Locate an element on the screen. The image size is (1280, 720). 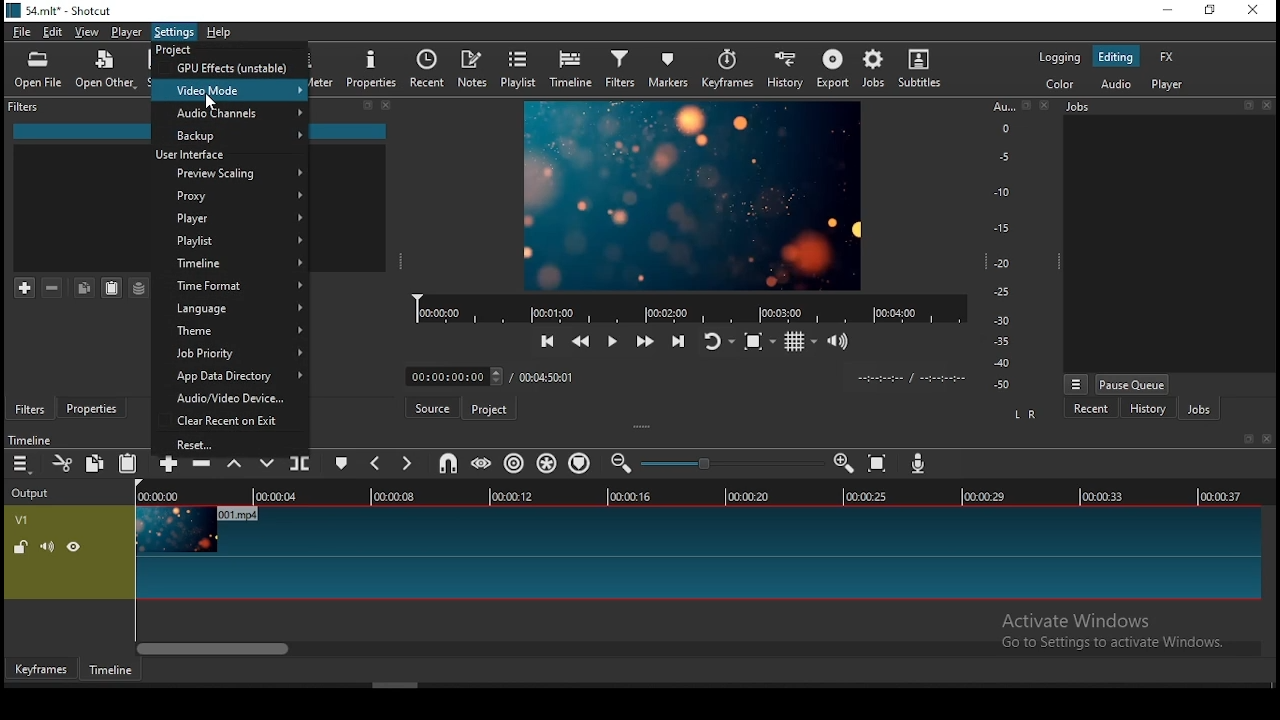
backup is located at coordinates (229, 135).